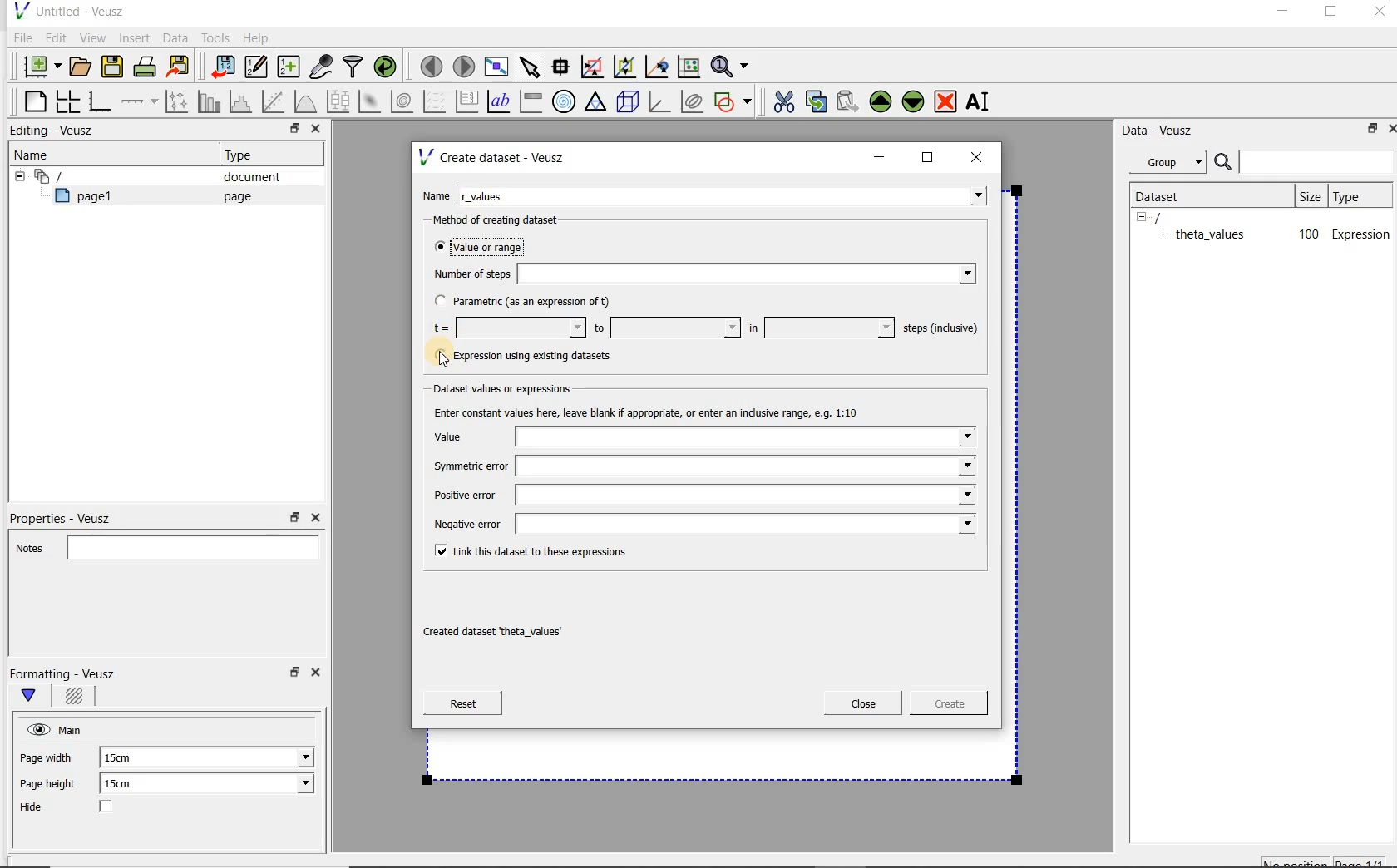 Image resolution: width=1397 pixels, height=868 pixels. Describe the element at coordinates (372, 102) in the screenshot. I see `plot a 2d dataset as an image` at that location.